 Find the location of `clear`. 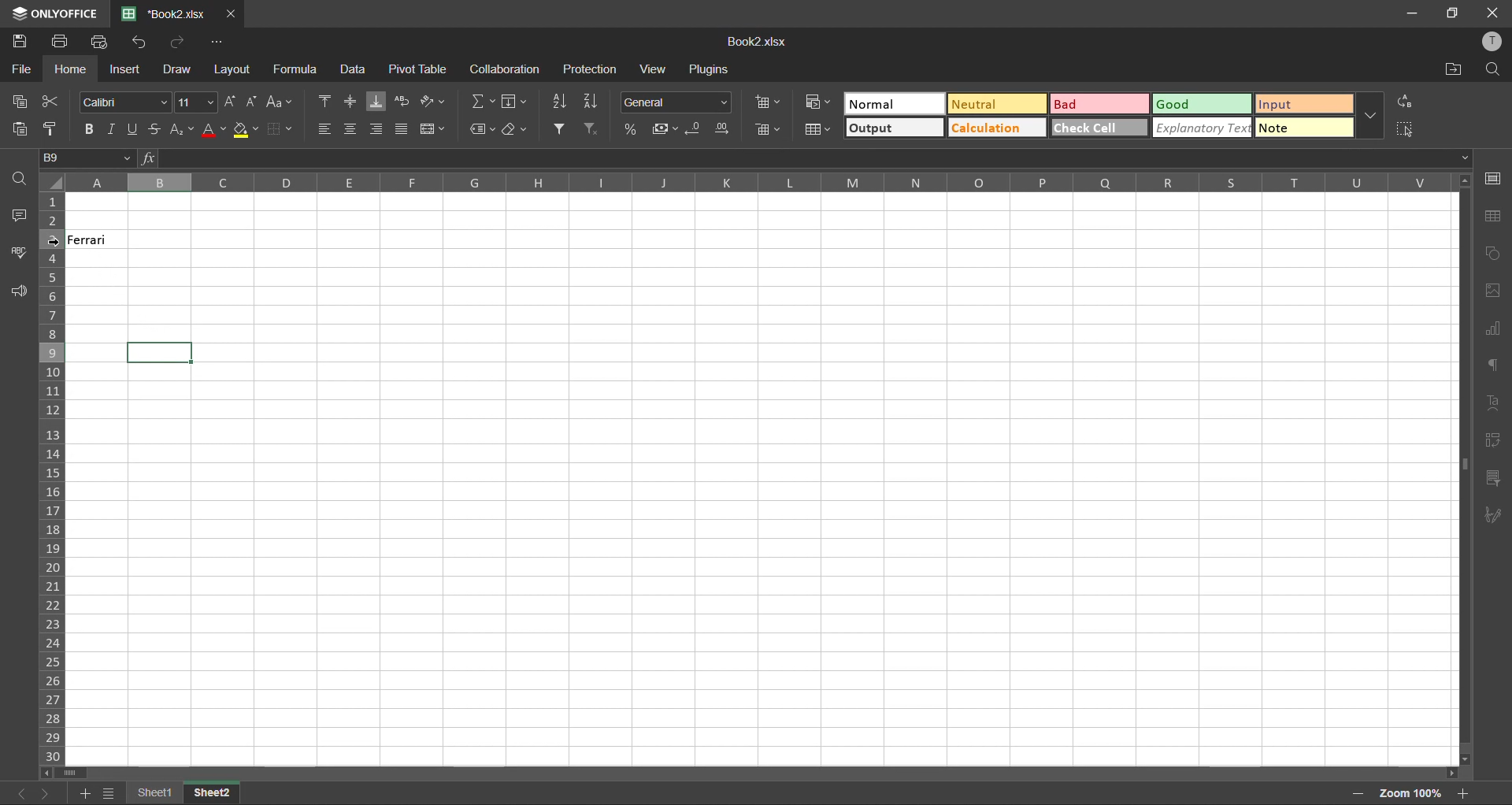

clear is located at coordinates (520, 130).